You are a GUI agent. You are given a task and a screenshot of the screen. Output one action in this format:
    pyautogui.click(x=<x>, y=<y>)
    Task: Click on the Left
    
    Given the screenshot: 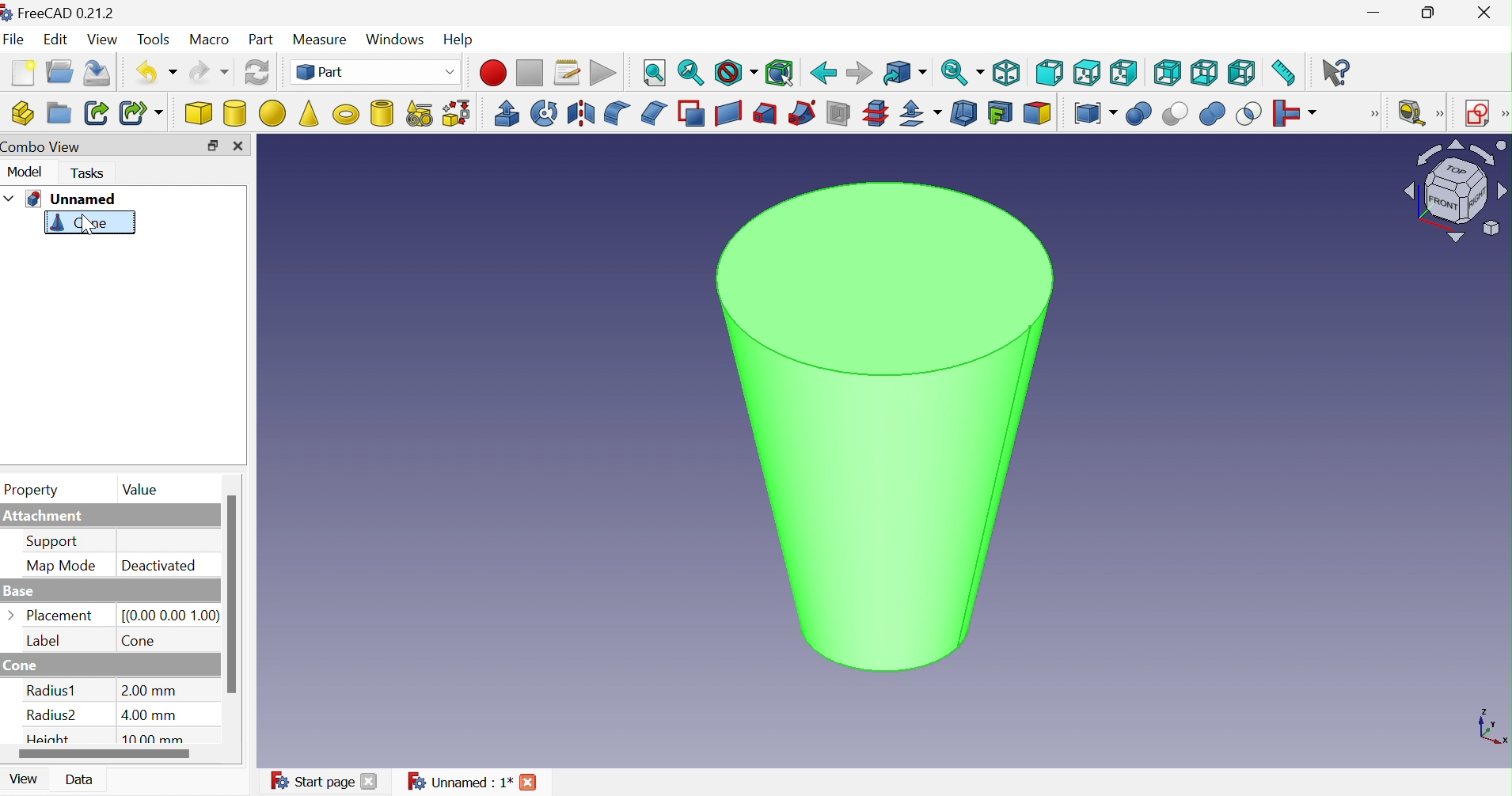 What is the action you would take?
    pyautogui.click(x=1242, y=76)
    